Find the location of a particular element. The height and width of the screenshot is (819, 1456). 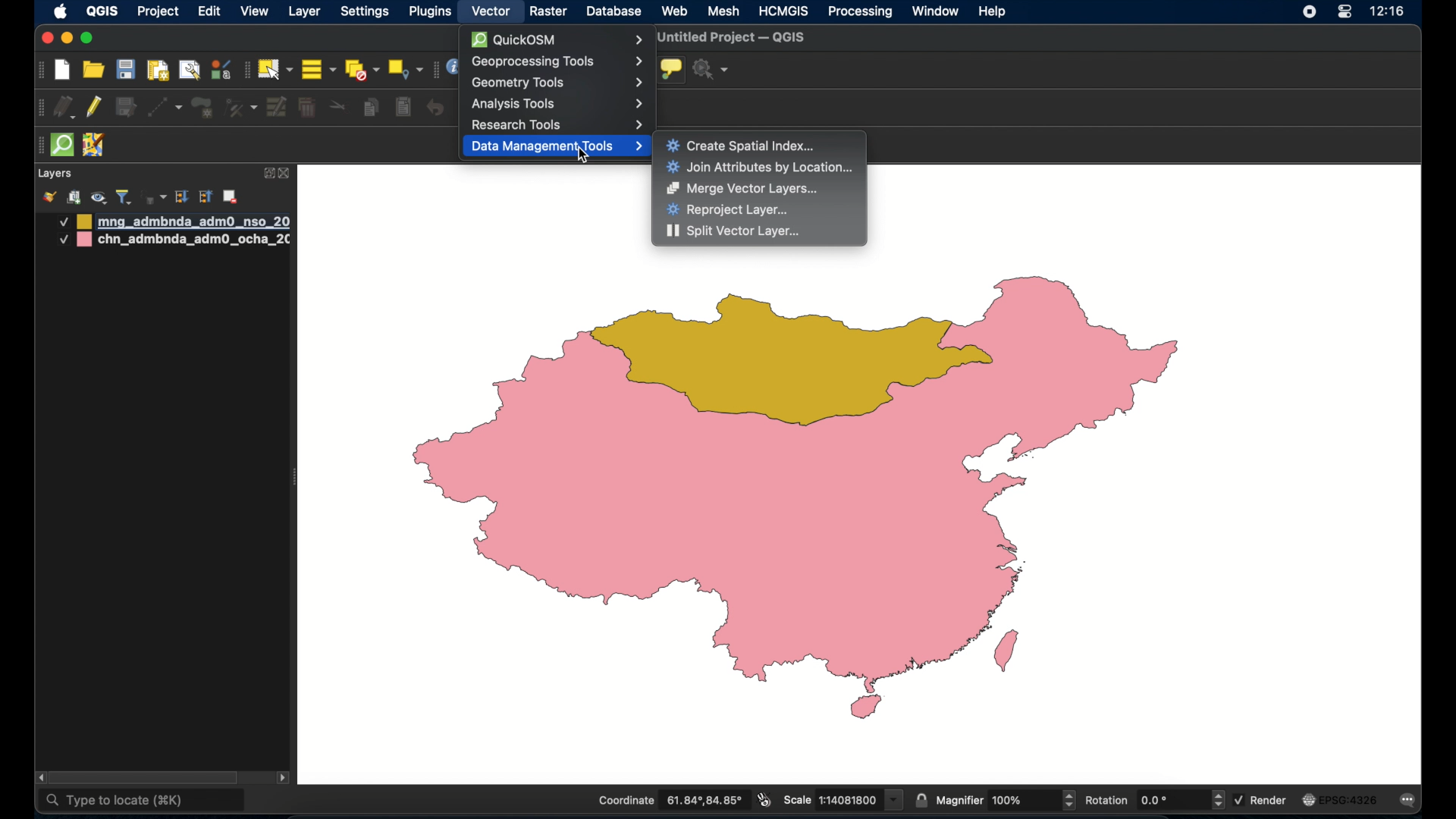

project toolbar is located at coordinates (38, 71).